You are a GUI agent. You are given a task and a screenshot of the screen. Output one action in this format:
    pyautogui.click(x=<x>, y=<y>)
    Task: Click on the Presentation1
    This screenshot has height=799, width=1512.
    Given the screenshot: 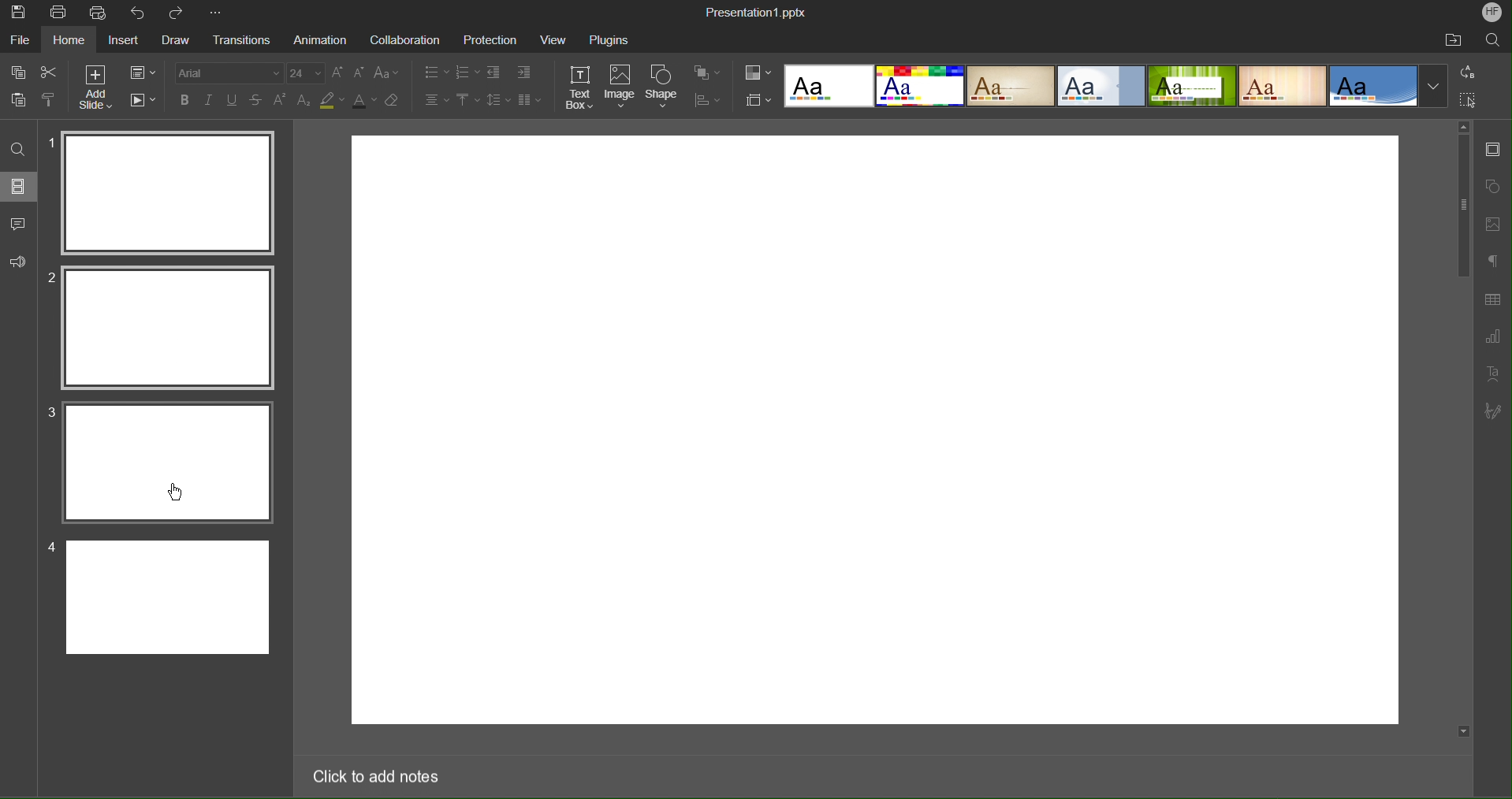 What is the action you would take?
    pyautogui.click(x=755, y=9)
    